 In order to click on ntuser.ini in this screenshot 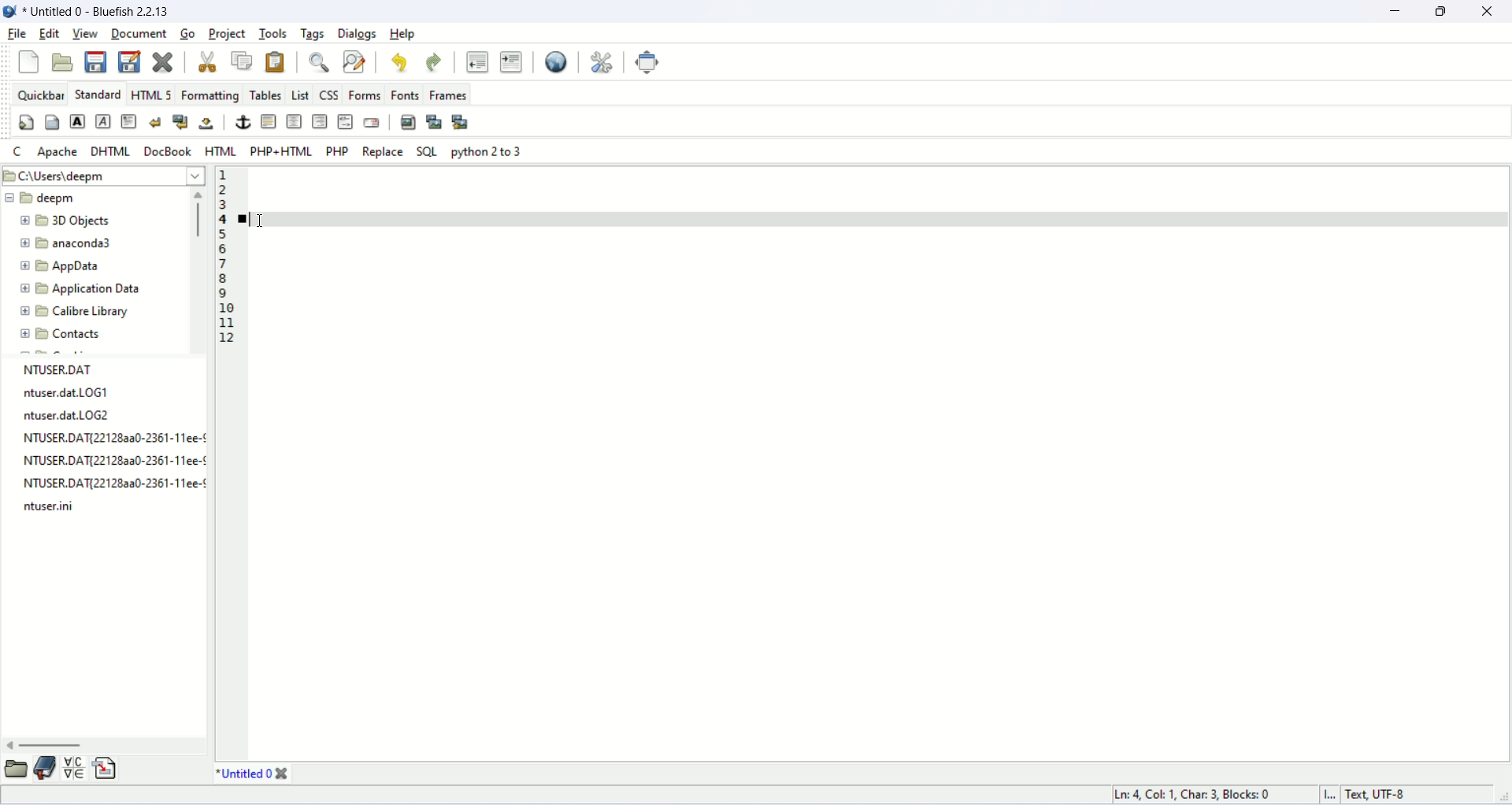, I will do `click(52, 506)`.